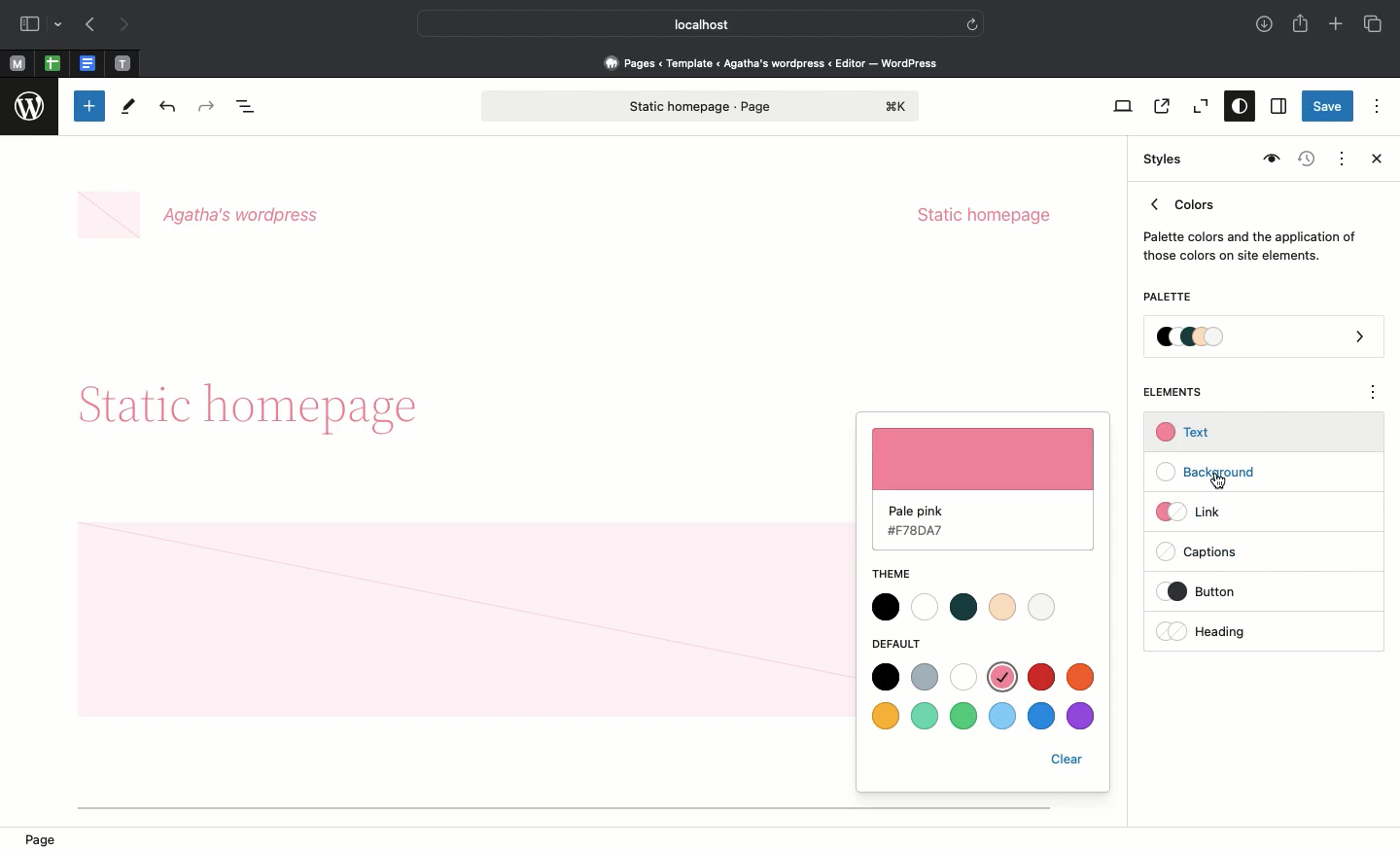 The image size is (1400, 850). I want to click on Colors, so click(1250, 226).